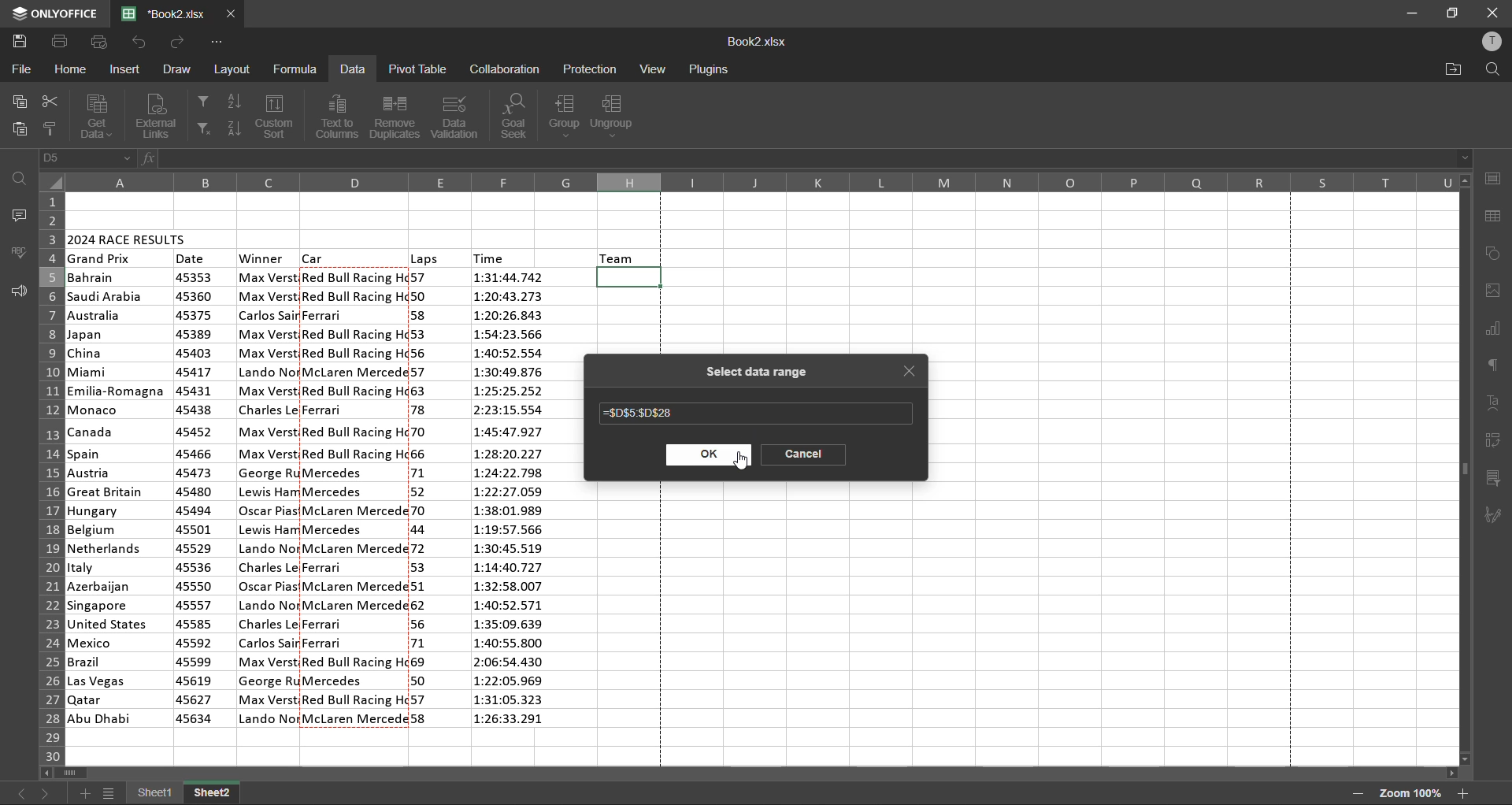  I want to click on save, so click(24, 42).